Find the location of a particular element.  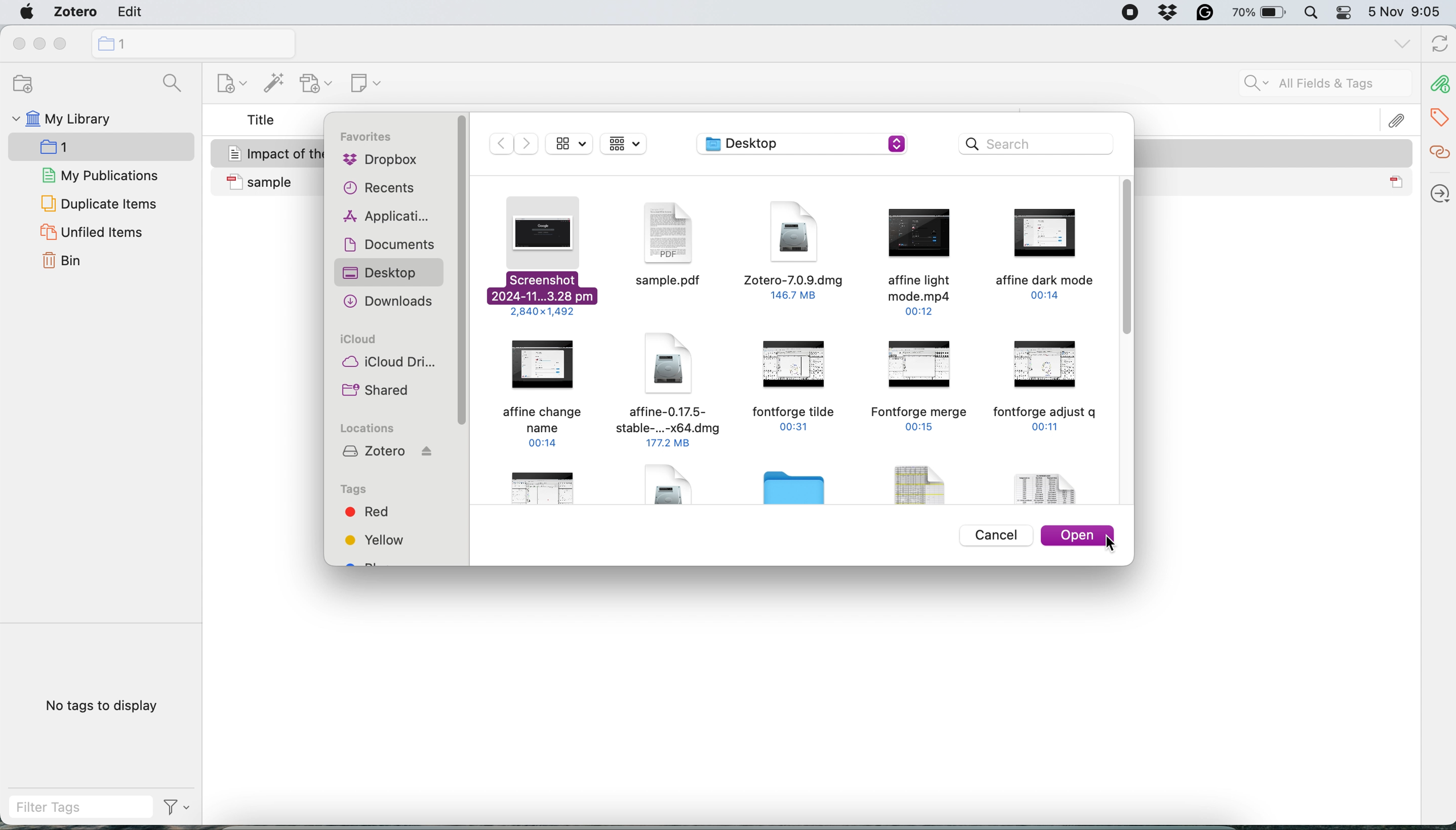

favorites is located at coordinates (369, 139).